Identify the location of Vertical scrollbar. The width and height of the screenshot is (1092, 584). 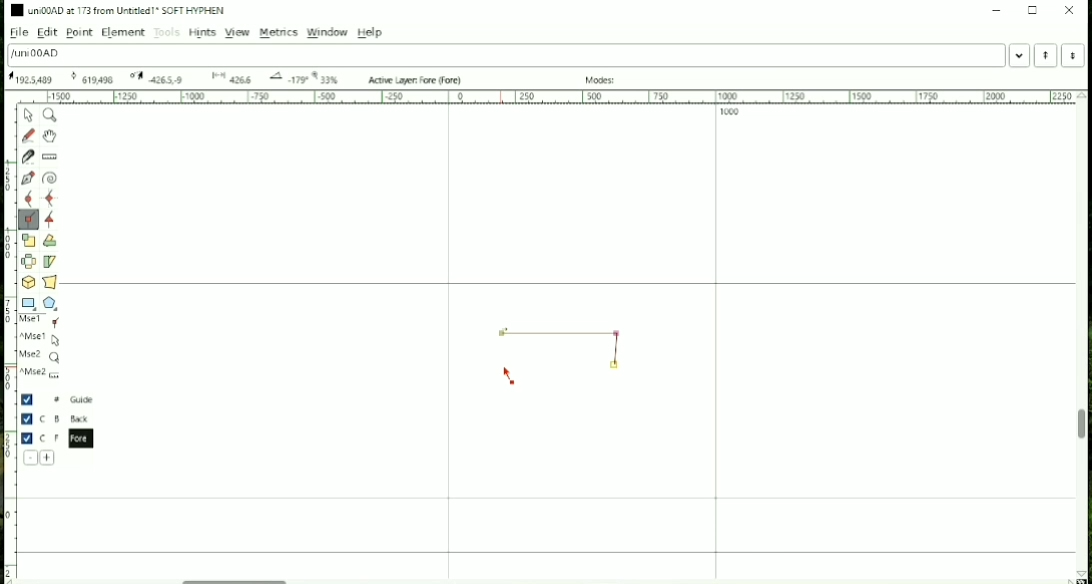
(1081, 427).